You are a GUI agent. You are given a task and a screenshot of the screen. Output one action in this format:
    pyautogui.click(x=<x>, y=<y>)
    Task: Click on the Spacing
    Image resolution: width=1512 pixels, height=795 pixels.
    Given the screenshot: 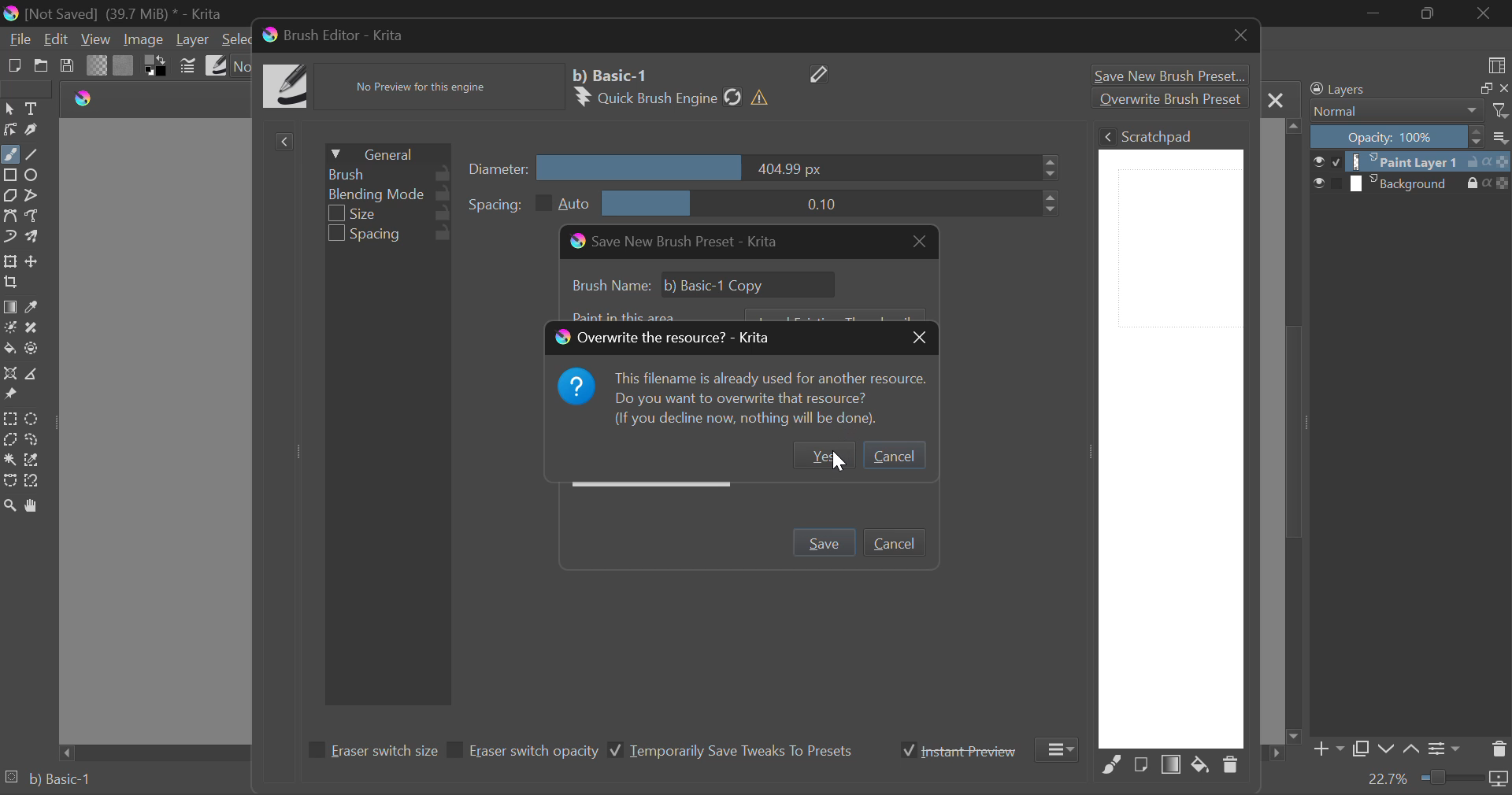 What is the action you would take?
    pyautogui.click(x=764, y=203)
    